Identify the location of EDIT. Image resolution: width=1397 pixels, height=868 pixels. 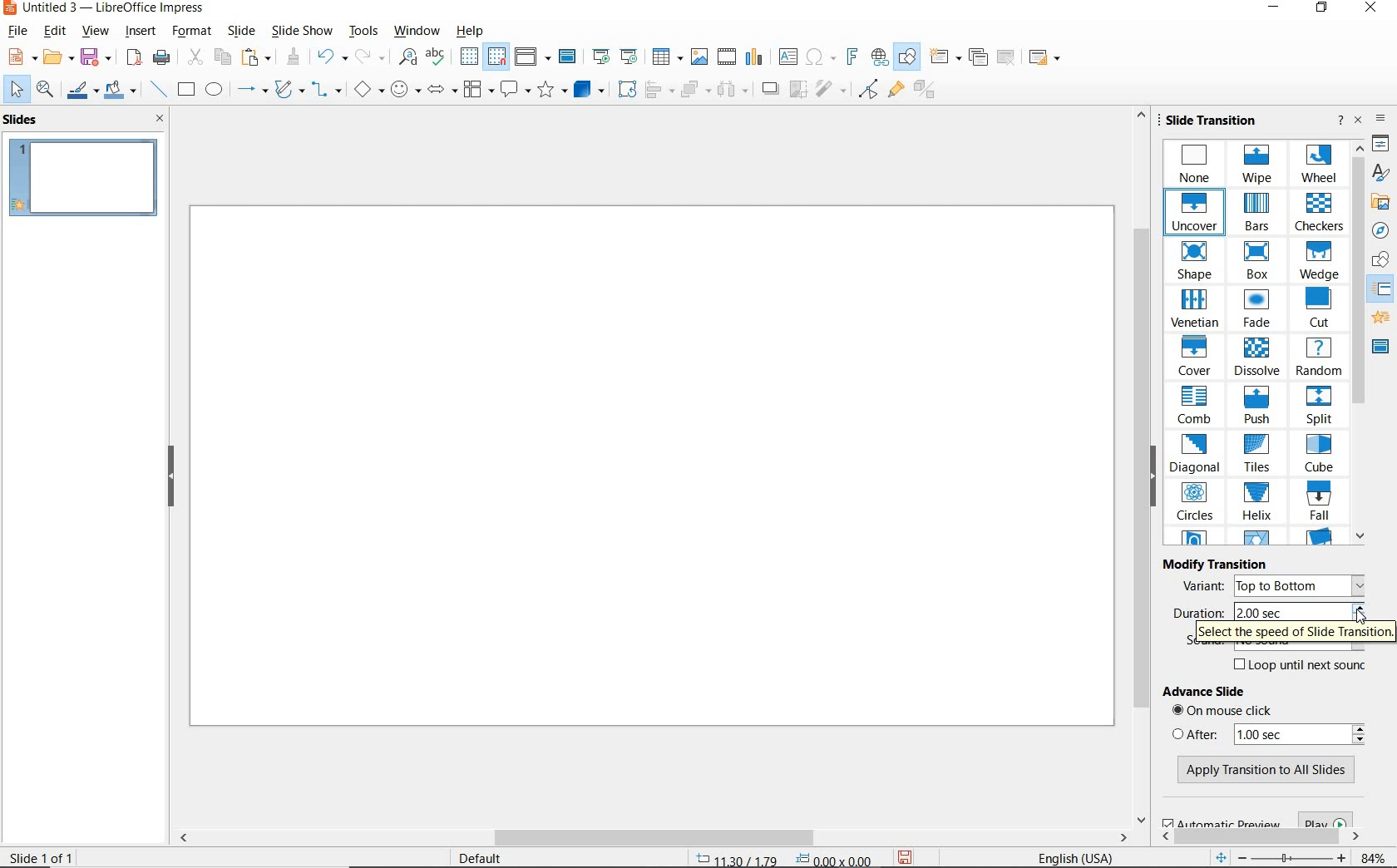
(53, 33).